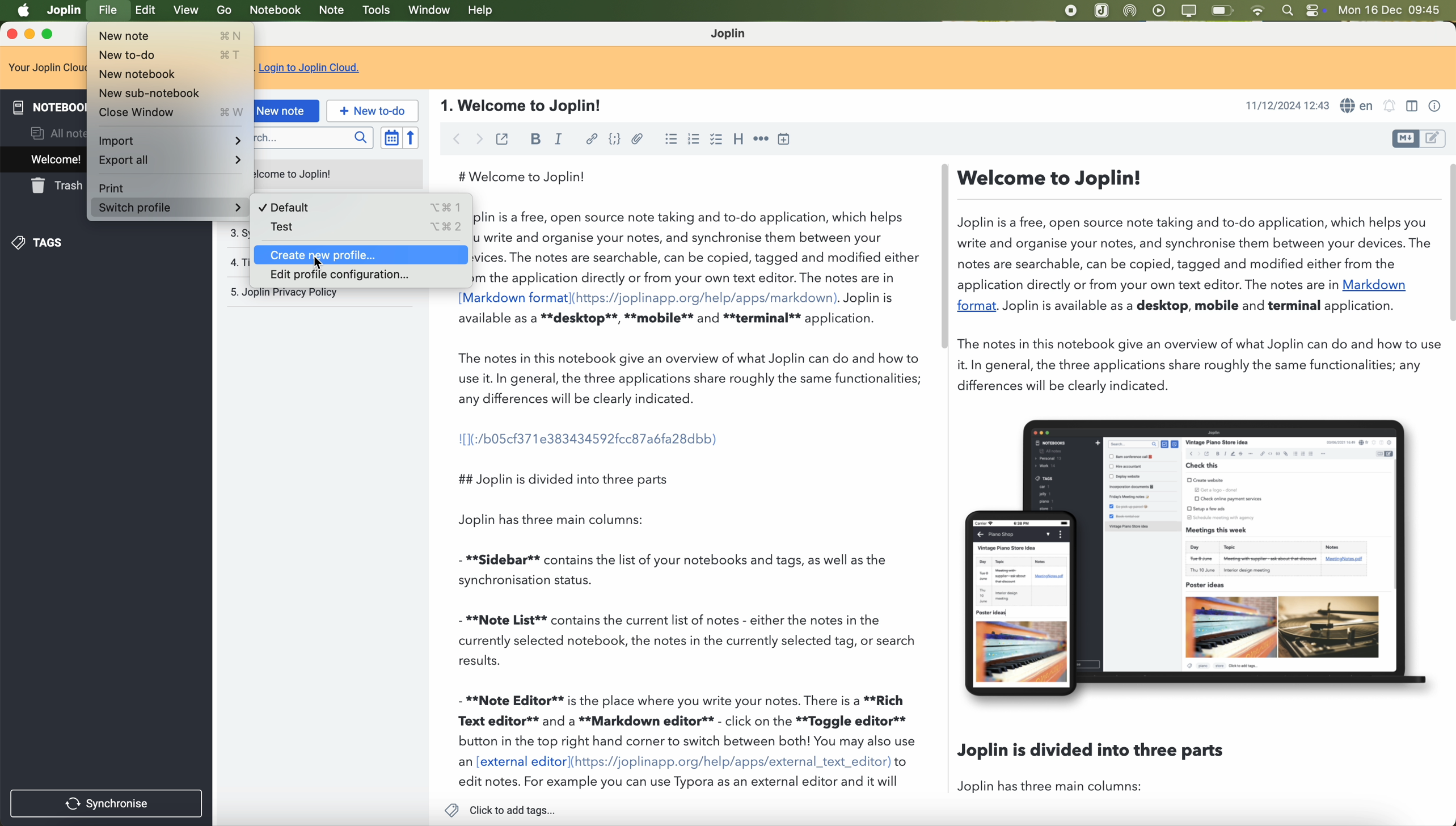 Image resolution: width=1456 pixels, height=826 pixels. What do you see at coordinates (1411, 107) in the screenshot?
I see `toggle editors layout` at bounding box center [1411, 107].